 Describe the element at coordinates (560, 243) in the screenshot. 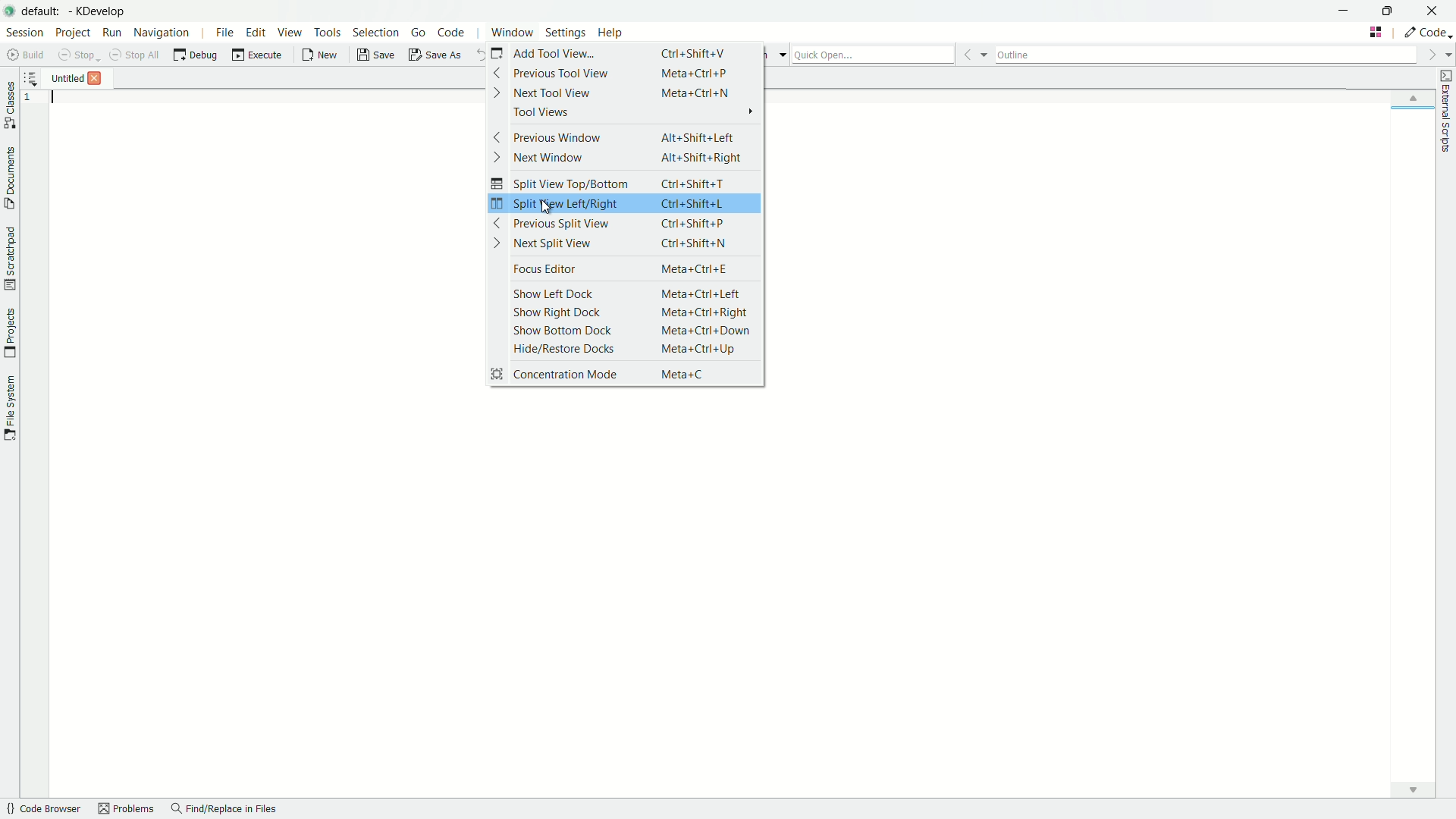

I see `next split view` at that location.